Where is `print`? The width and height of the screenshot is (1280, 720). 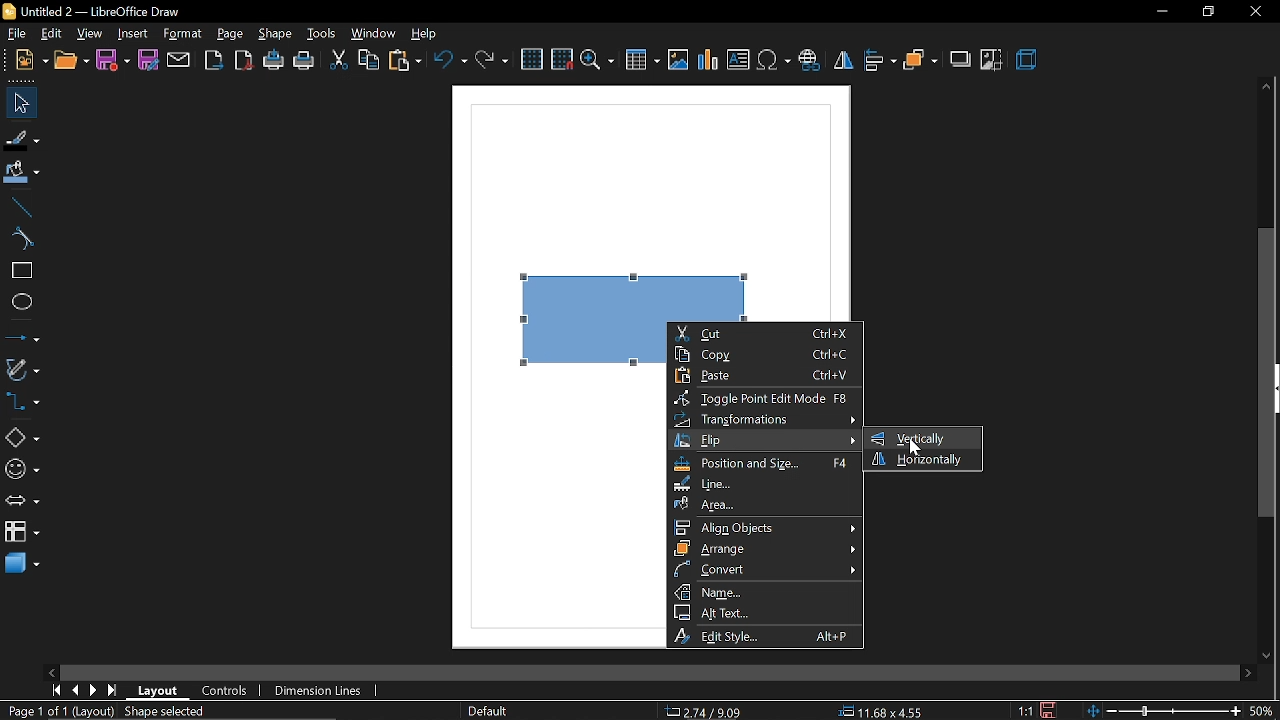
print is located at coordinates (306, 60).